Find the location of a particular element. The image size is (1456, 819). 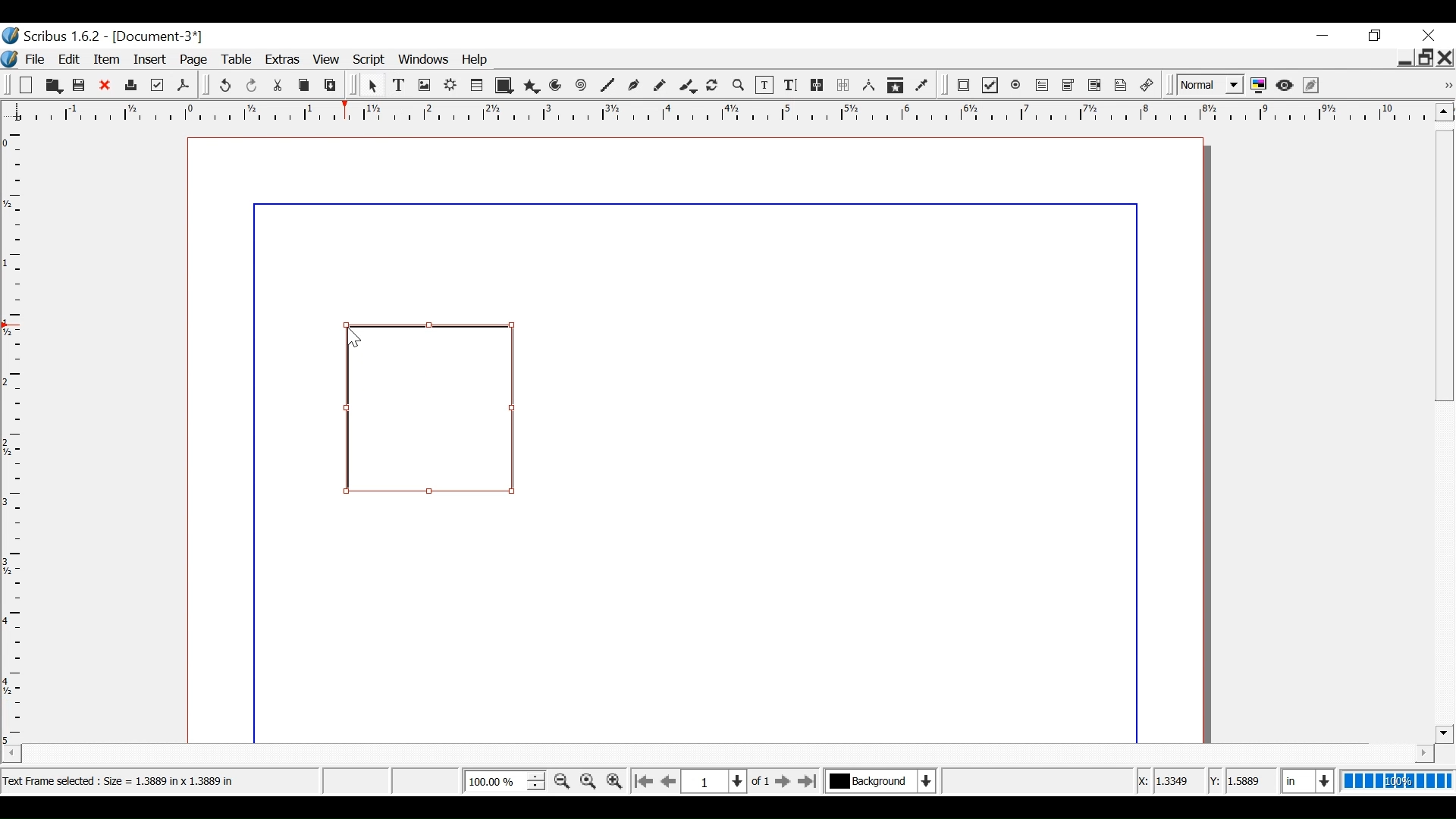

New is located at coordinates (27, 85).